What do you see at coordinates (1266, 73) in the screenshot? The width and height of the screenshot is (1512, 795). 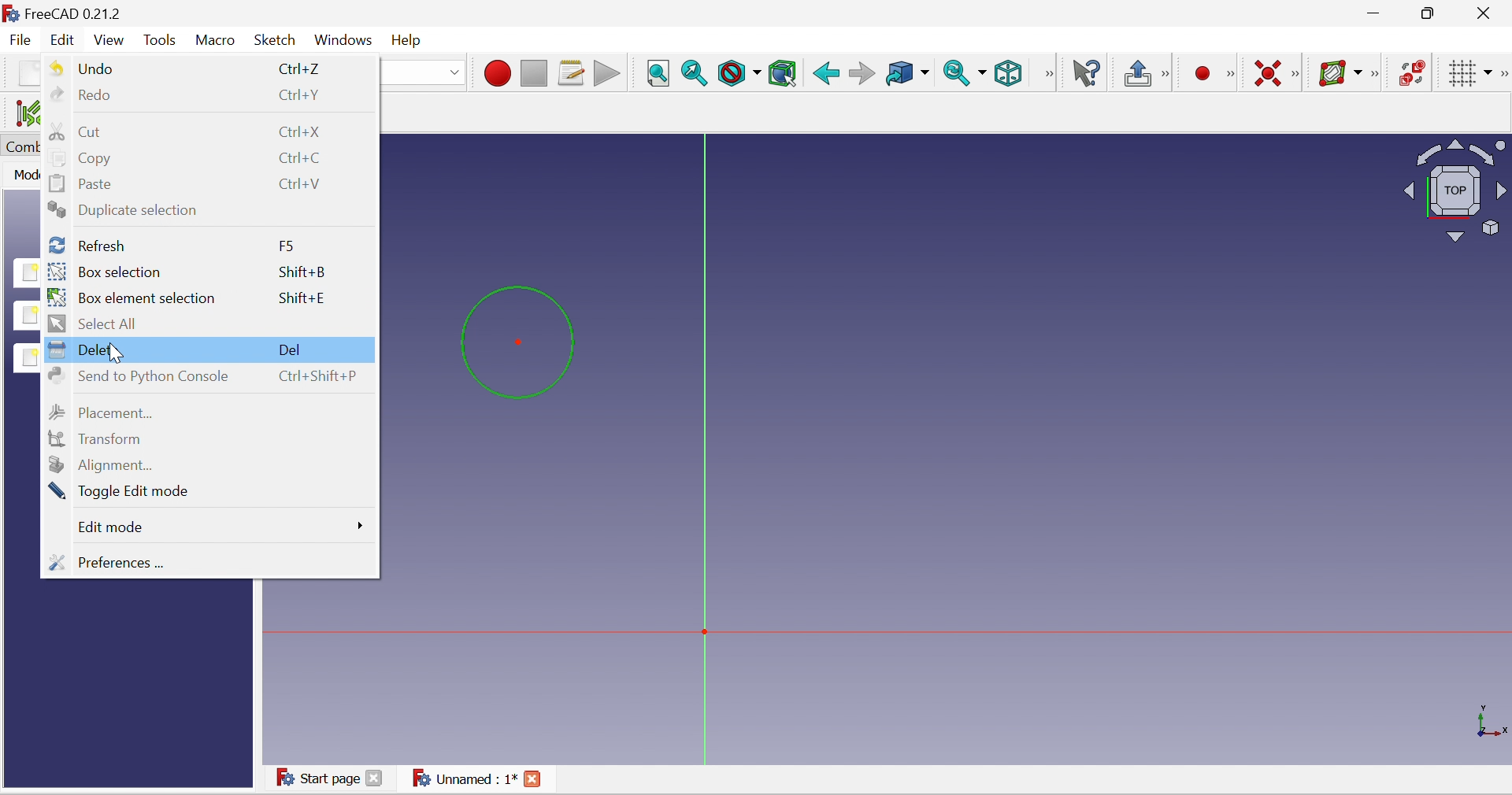 I see `Constrain coincident` at bounding box center [1266, 73].